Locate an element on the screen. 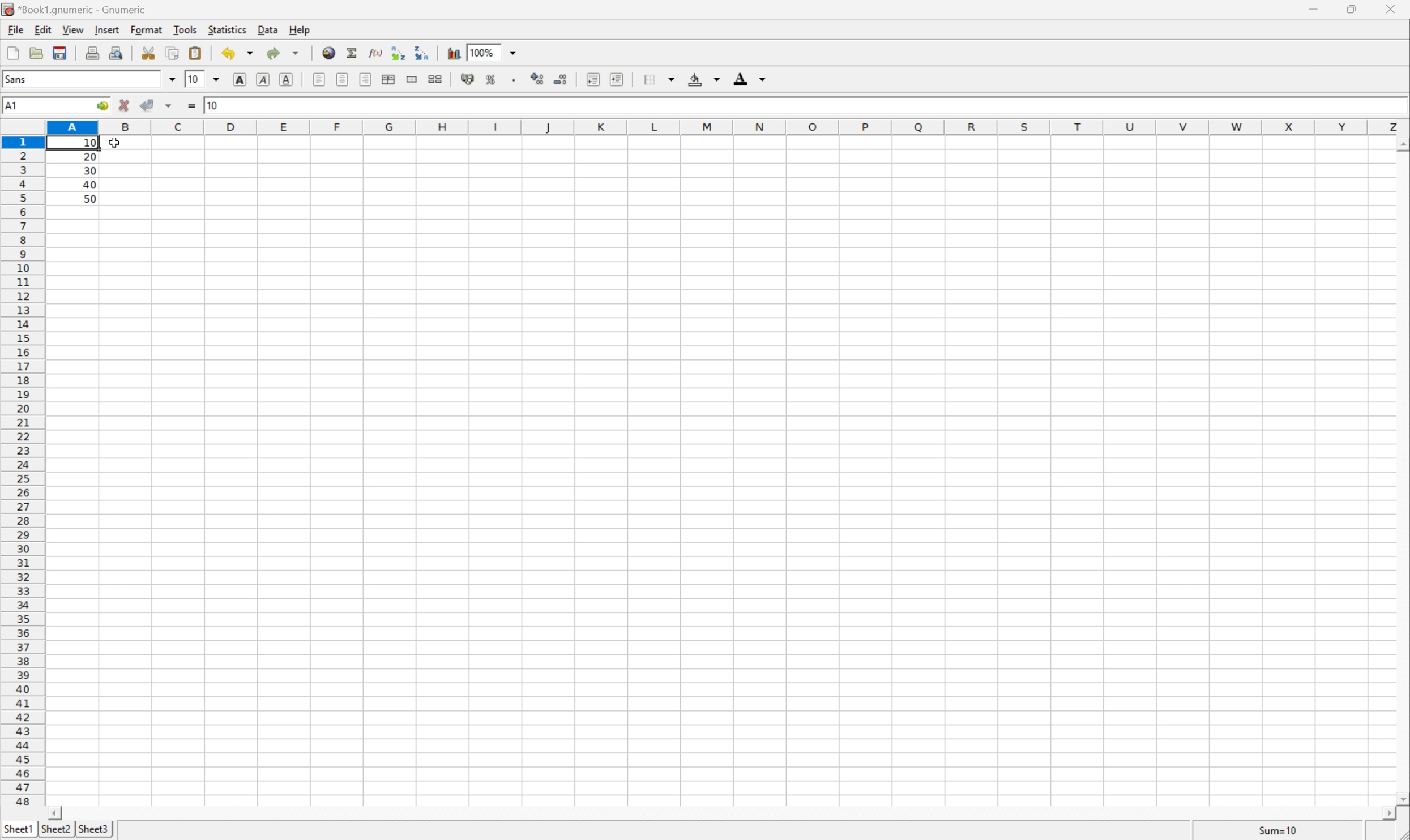  Scroll Up is located at coordinates (1401, 144).